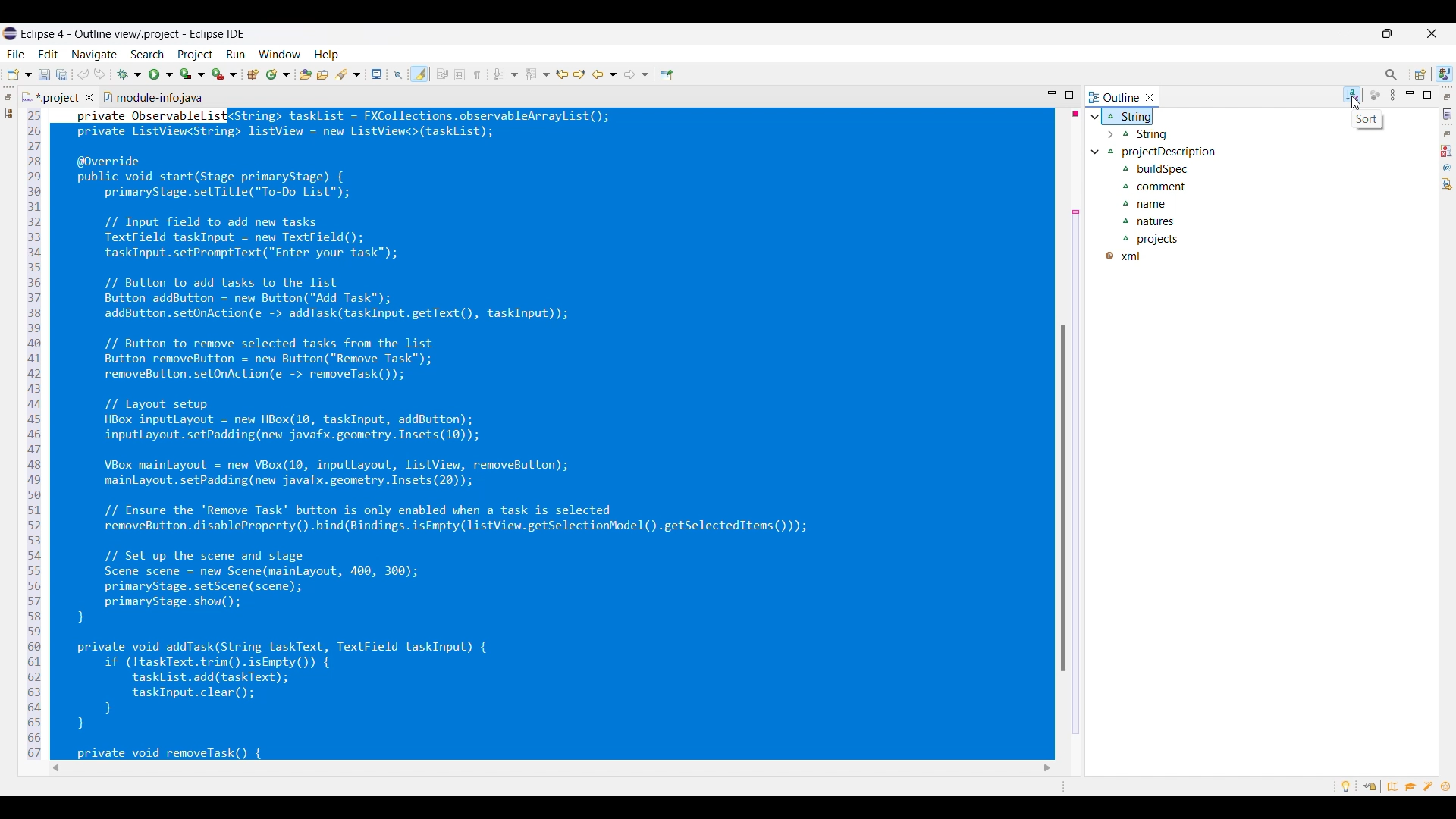 This screenshot has height=819, width=1456. I want to click on Edit menu, so click(49, 55).